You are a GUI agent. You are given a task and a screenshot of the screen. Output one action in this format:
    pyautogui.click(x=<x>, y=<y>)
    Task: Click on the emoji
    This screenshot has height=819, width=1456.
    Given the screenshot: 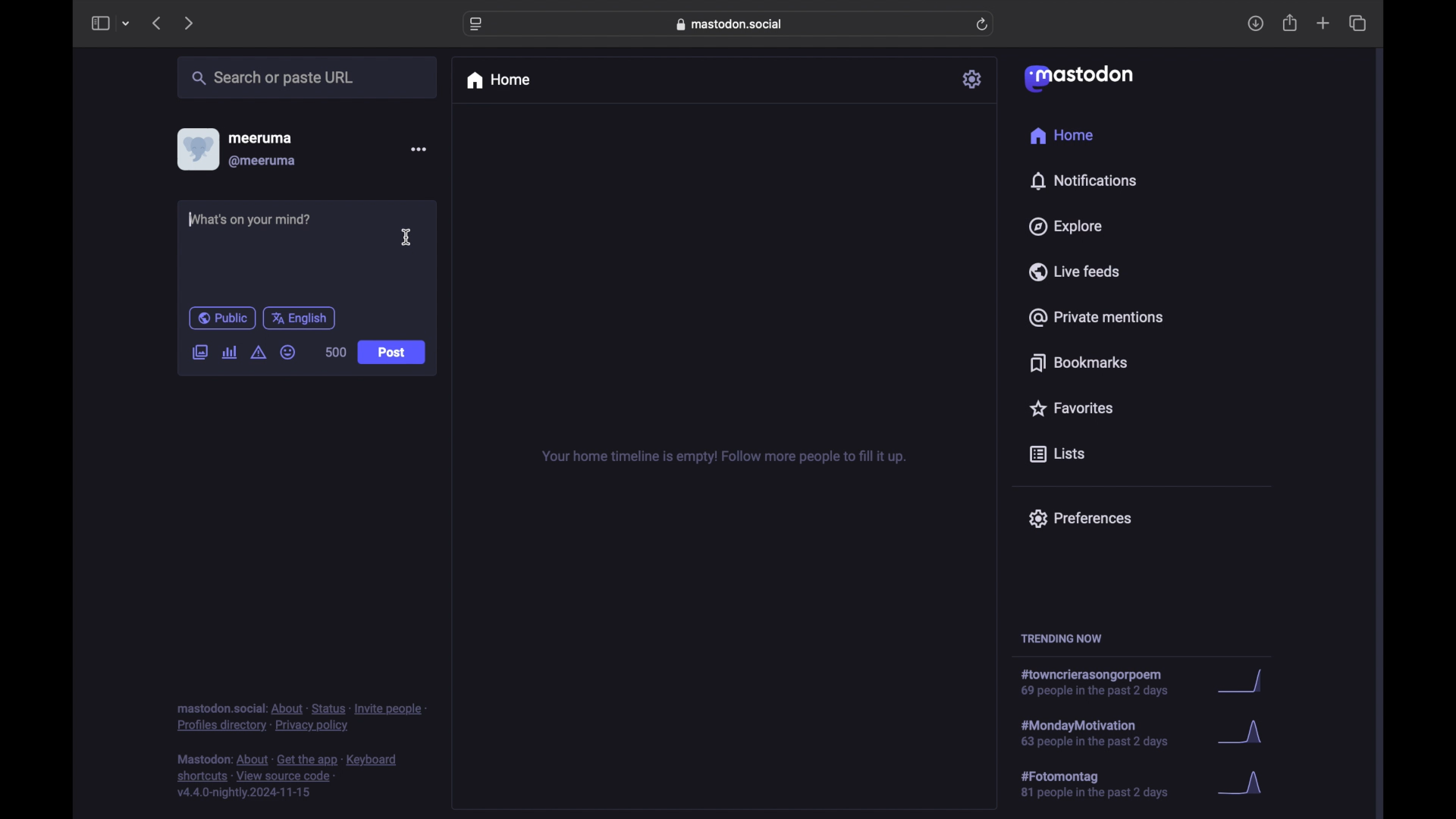 What is the action you would take?
    pyautogui.click(x=288, y=353)
    